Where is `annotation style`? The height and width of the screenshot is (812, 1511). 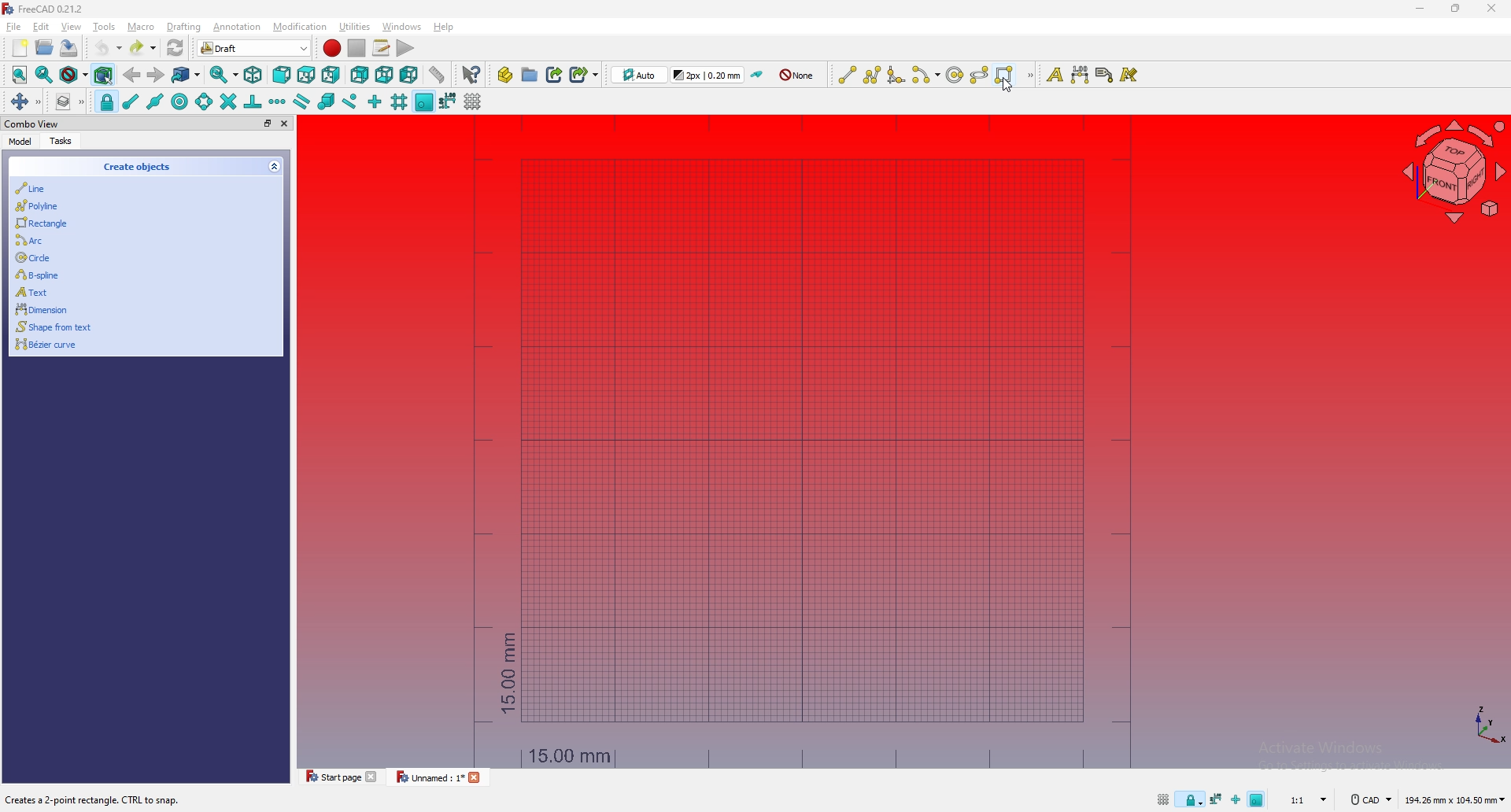
annotation style is located at coordinates (1130, 75).